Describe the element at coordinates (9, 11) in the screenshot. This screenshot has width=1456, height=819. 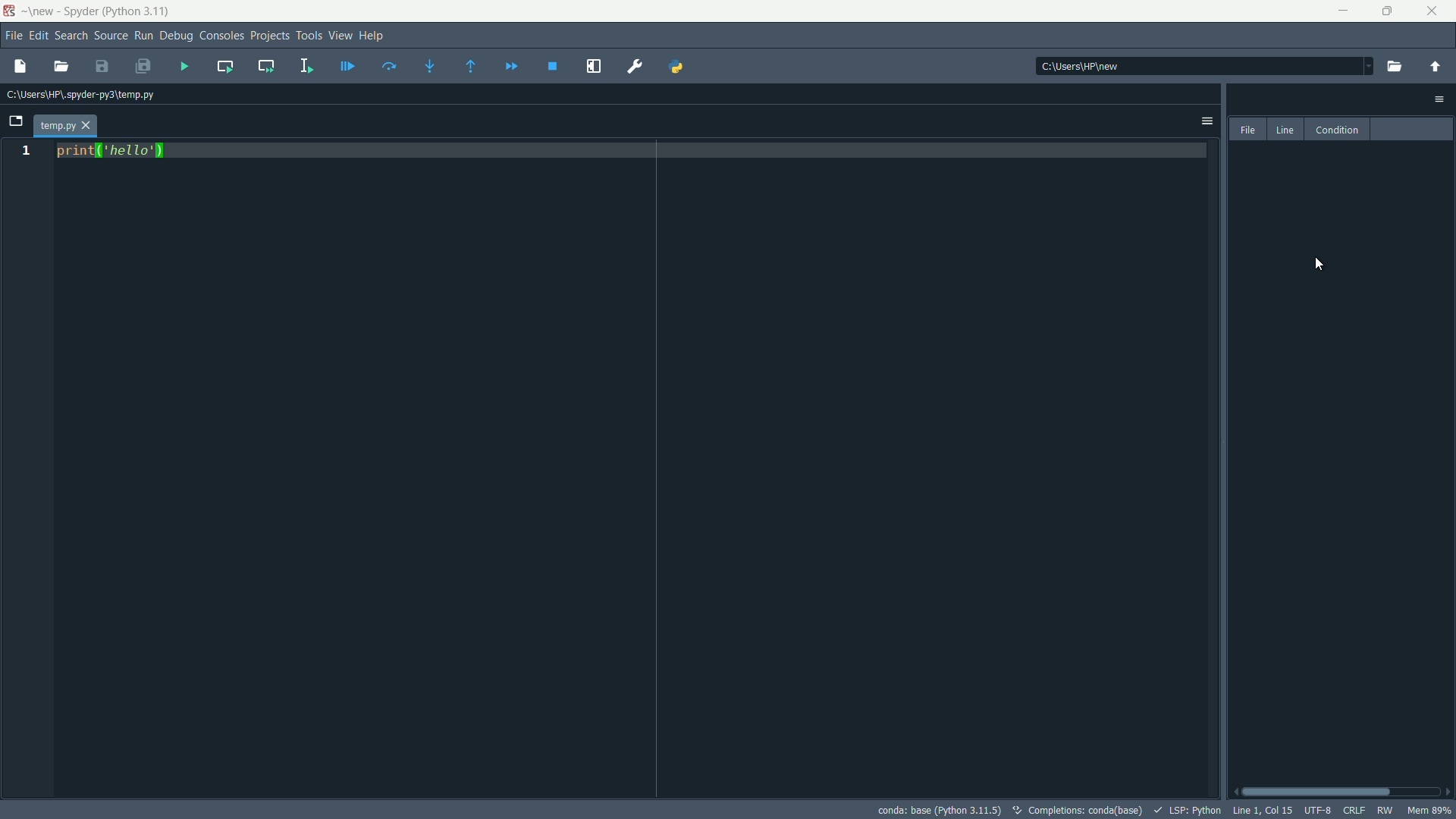
I see `app icon` at that location.